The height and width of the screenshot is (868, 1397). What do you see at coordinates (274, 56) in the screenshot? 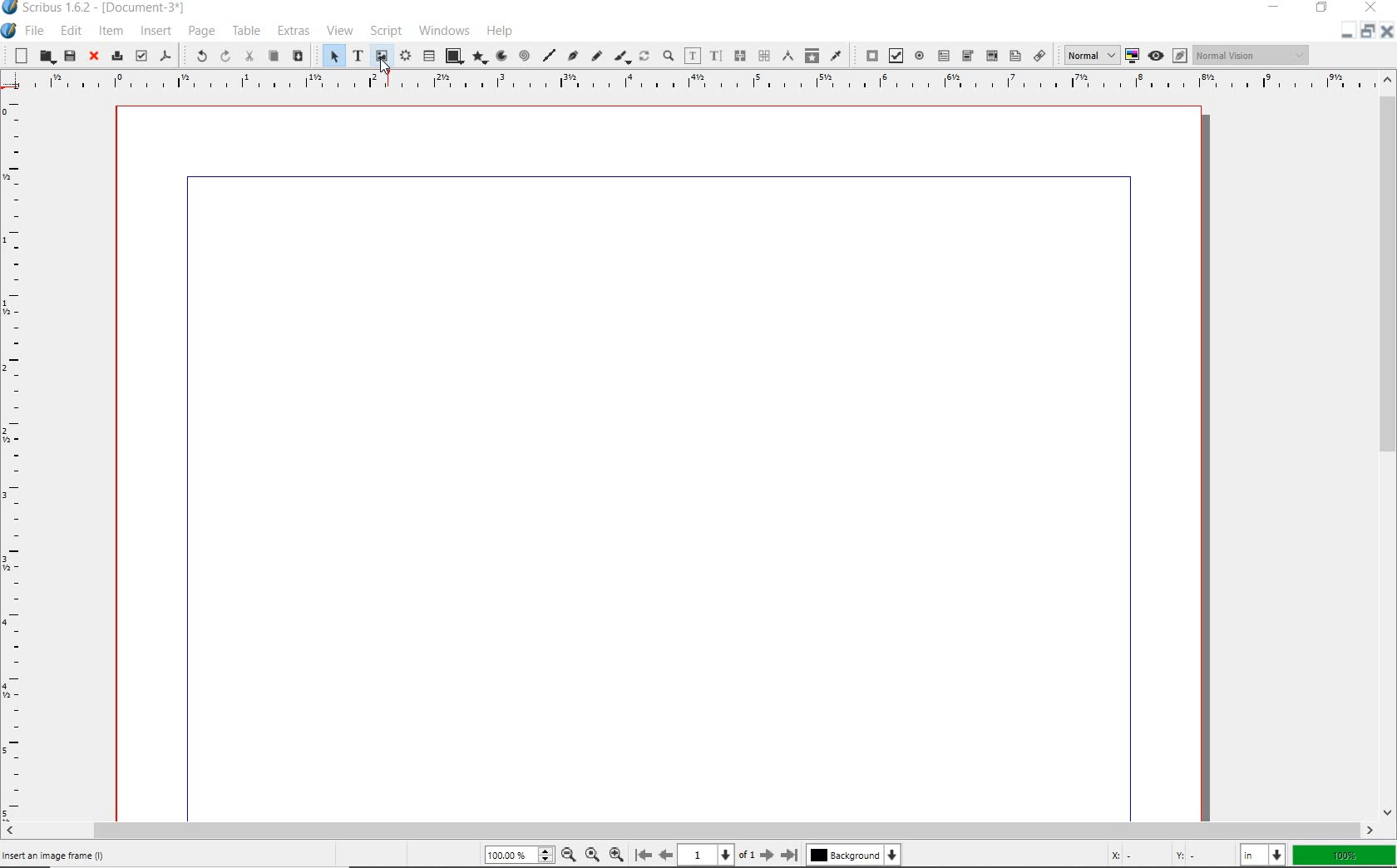
I see `copy` at bounding box center [274, 56].